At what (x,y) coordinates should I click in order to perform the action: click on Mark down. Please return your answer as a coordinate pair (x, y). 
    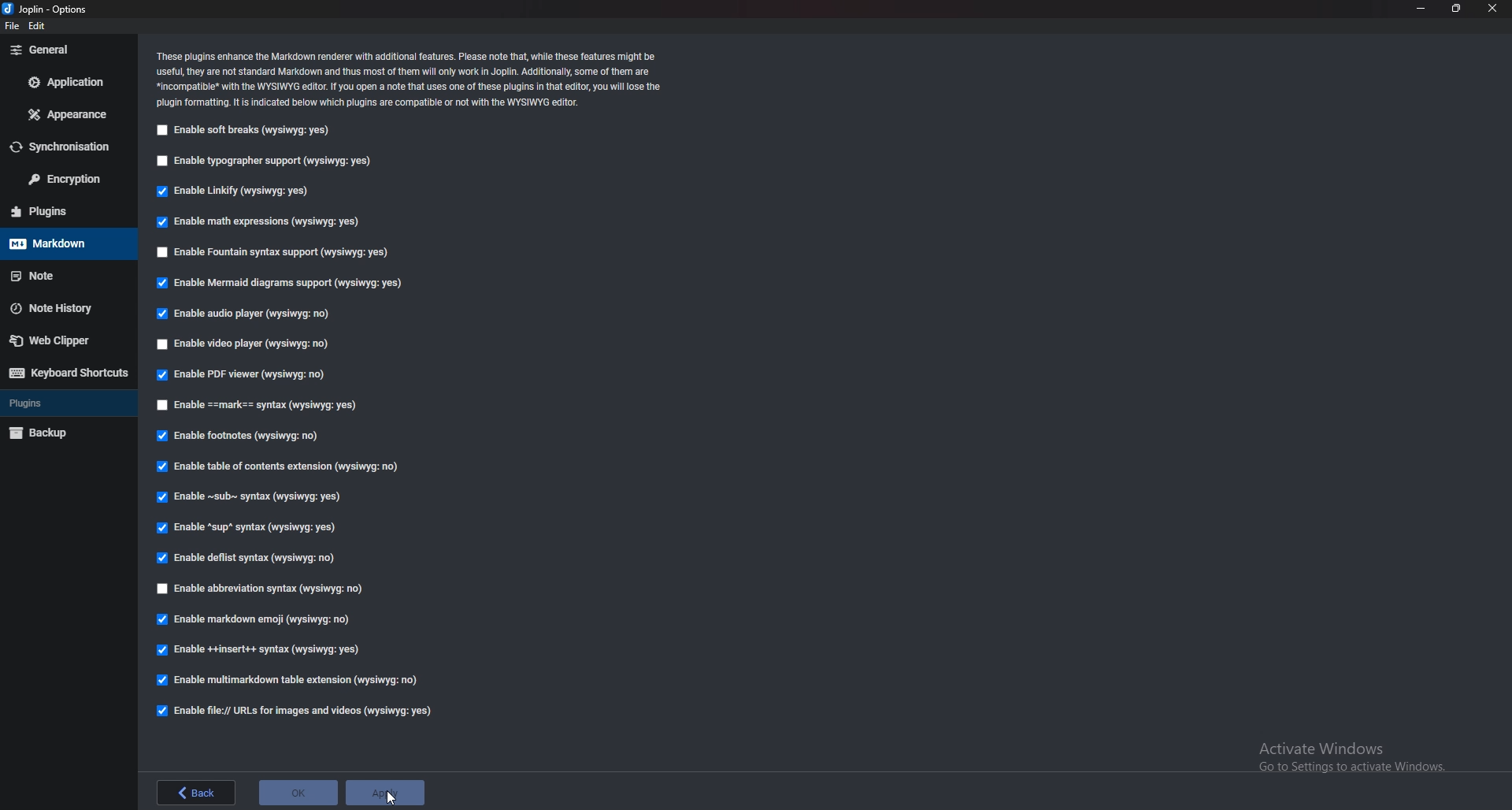
    Looking at the image, I should click on (57, 244).